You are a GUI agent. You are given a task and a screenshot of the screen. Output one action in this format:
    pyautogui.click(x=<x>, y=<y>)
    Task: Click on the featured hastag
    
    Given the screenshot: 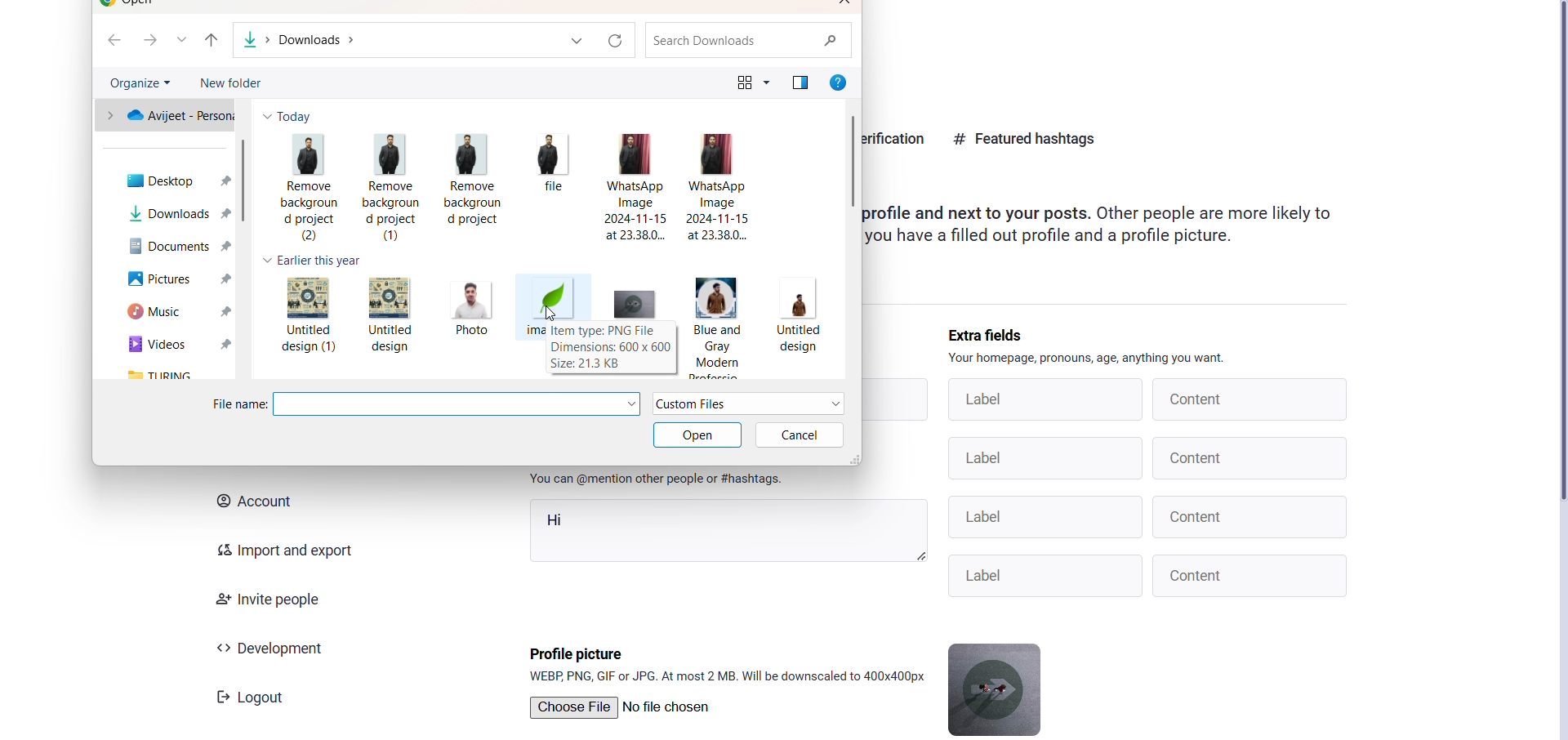 What is the action you would take?
    pyautogui.click(x=1026, y=137)
    